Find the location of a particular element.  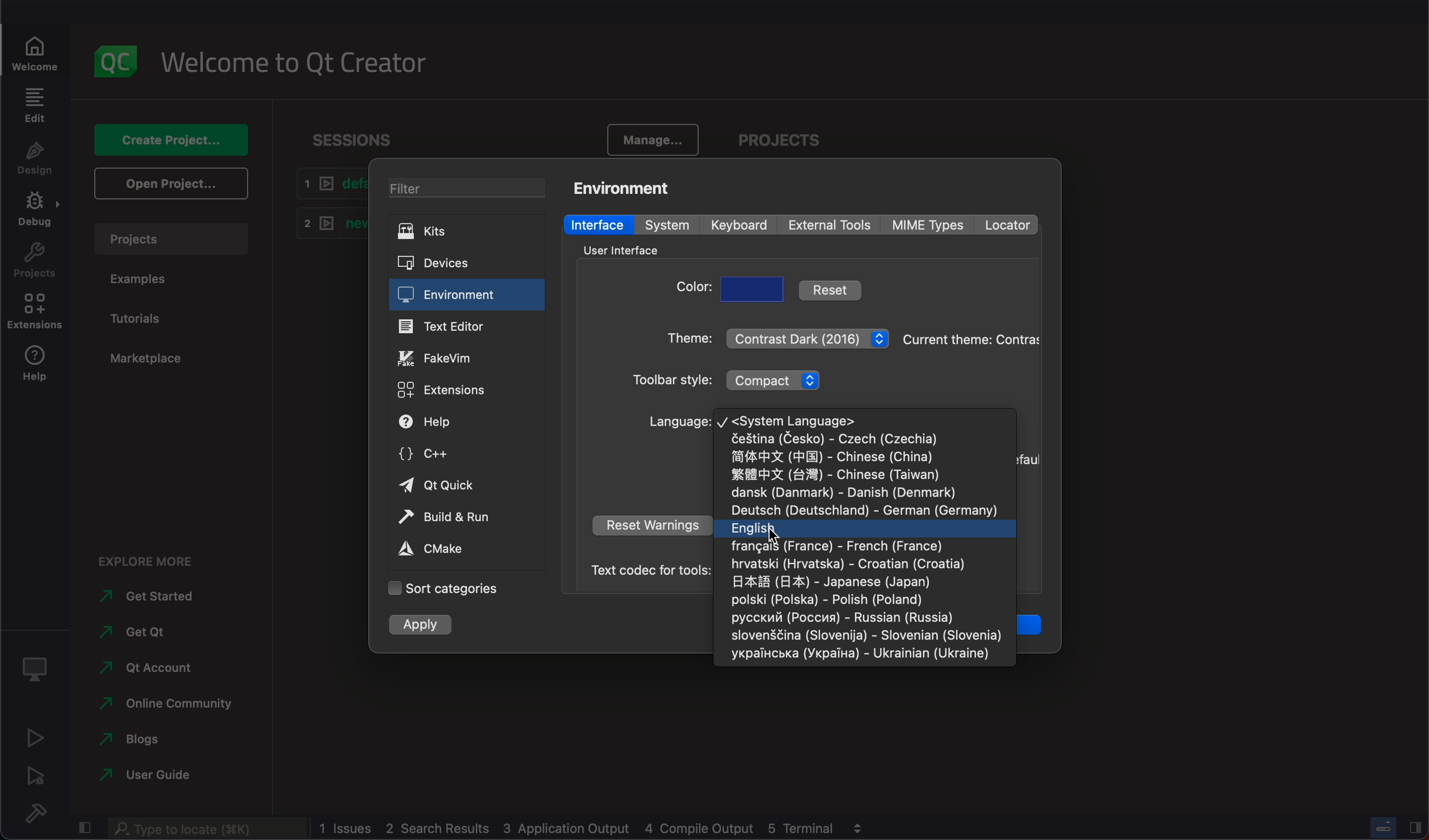

Czechia is located at coordinates (854, 441).